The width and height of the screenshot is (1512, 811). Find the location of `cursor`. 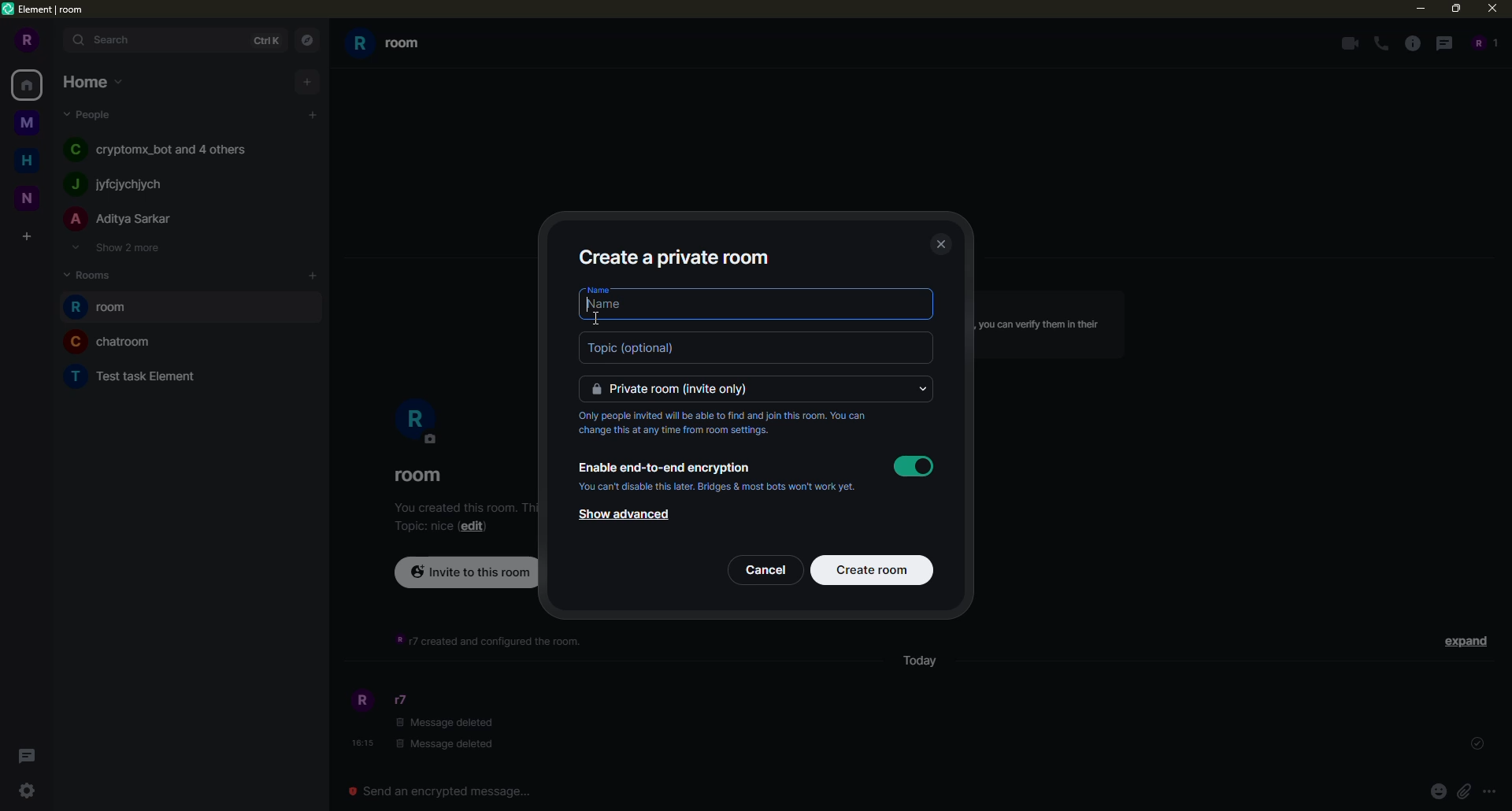

cursor is located at coordinates (598, 317).